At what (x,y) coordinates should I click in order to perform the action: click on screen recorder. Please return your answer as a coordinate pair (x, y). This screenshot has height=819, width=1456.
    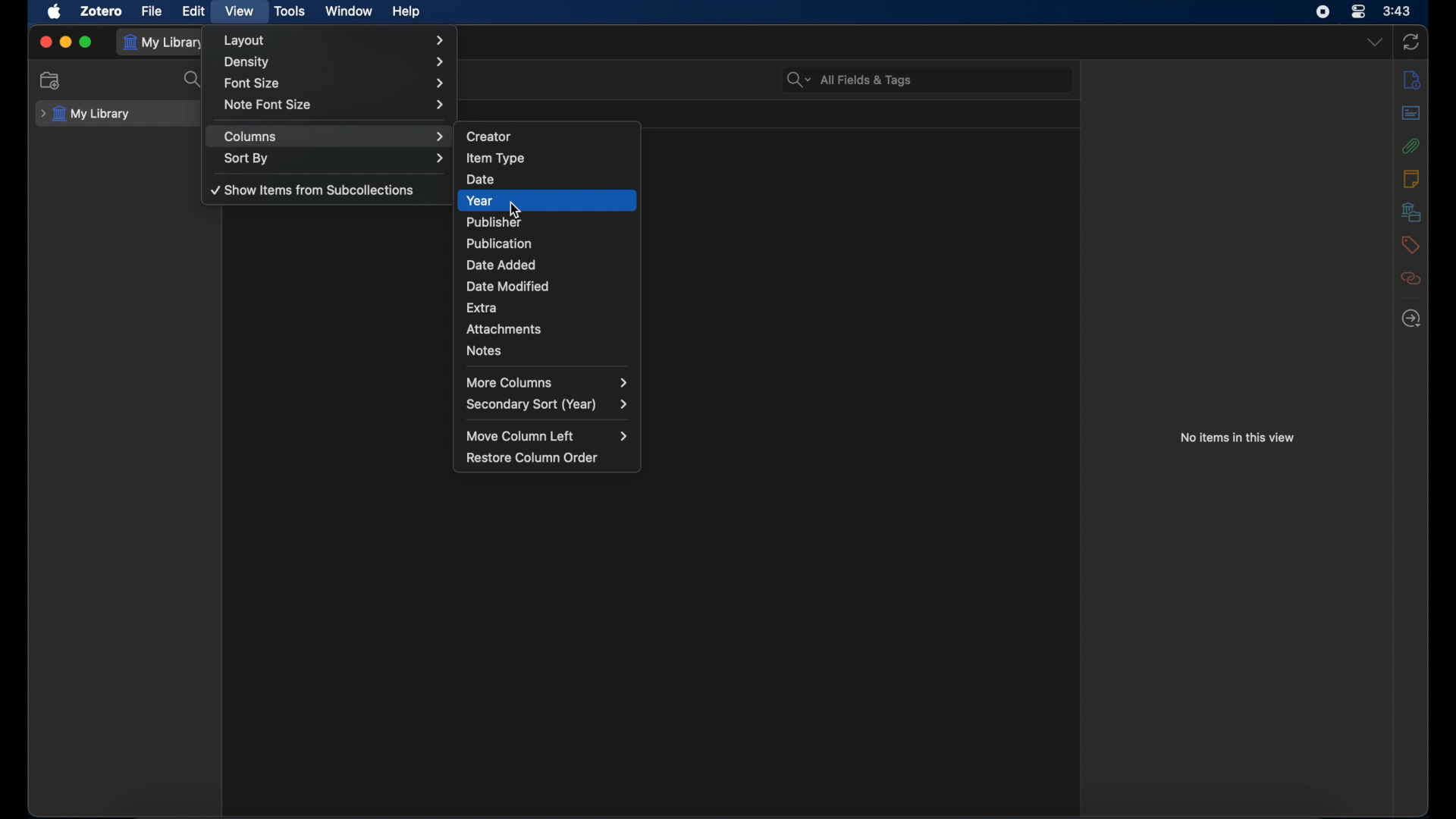
    Looking at the image, I should click on (1323, 12).